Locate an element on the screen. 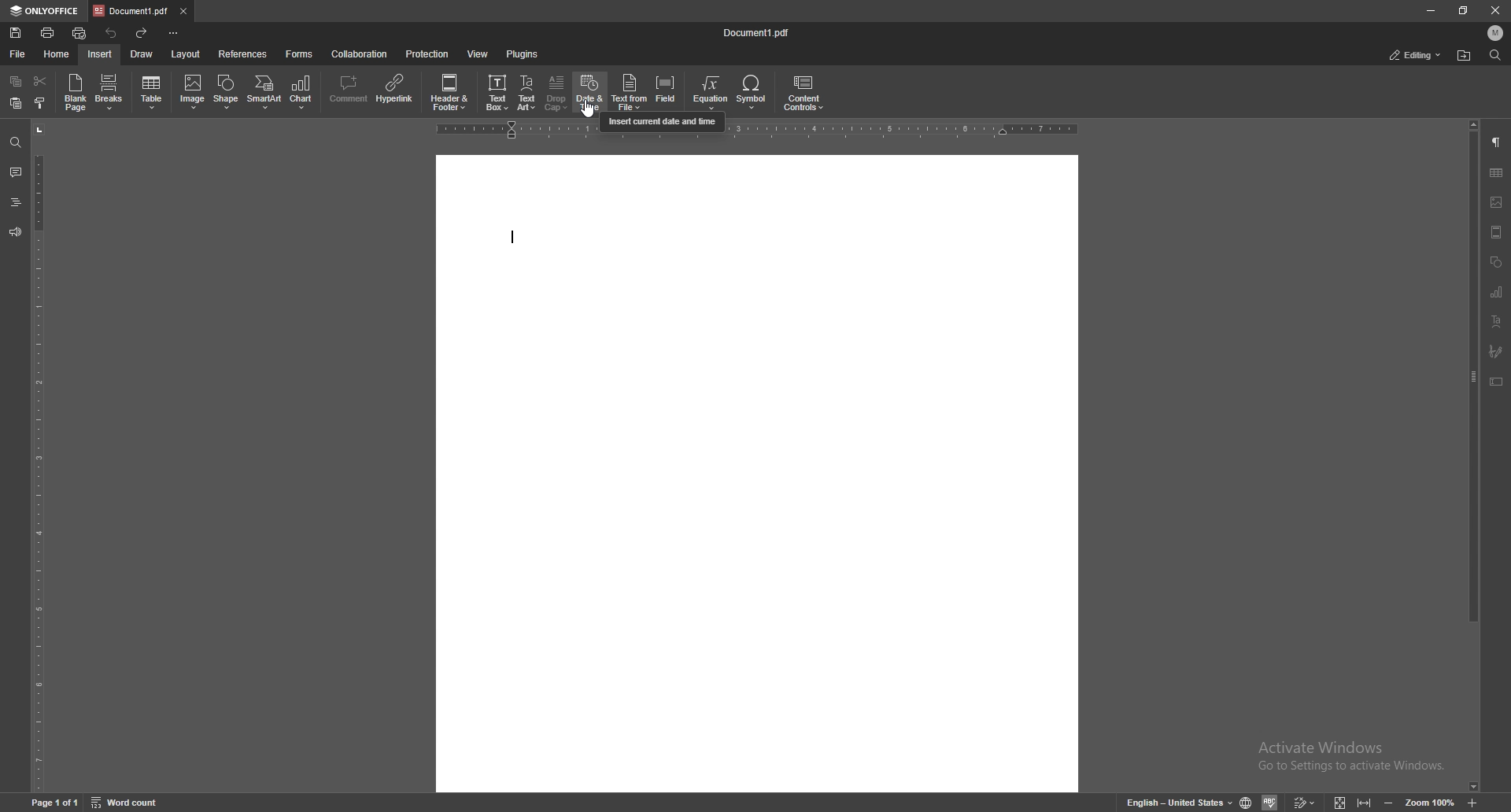 The height and width of the screenshot is (812, 1511). cut is located at coordinates (39, 80).